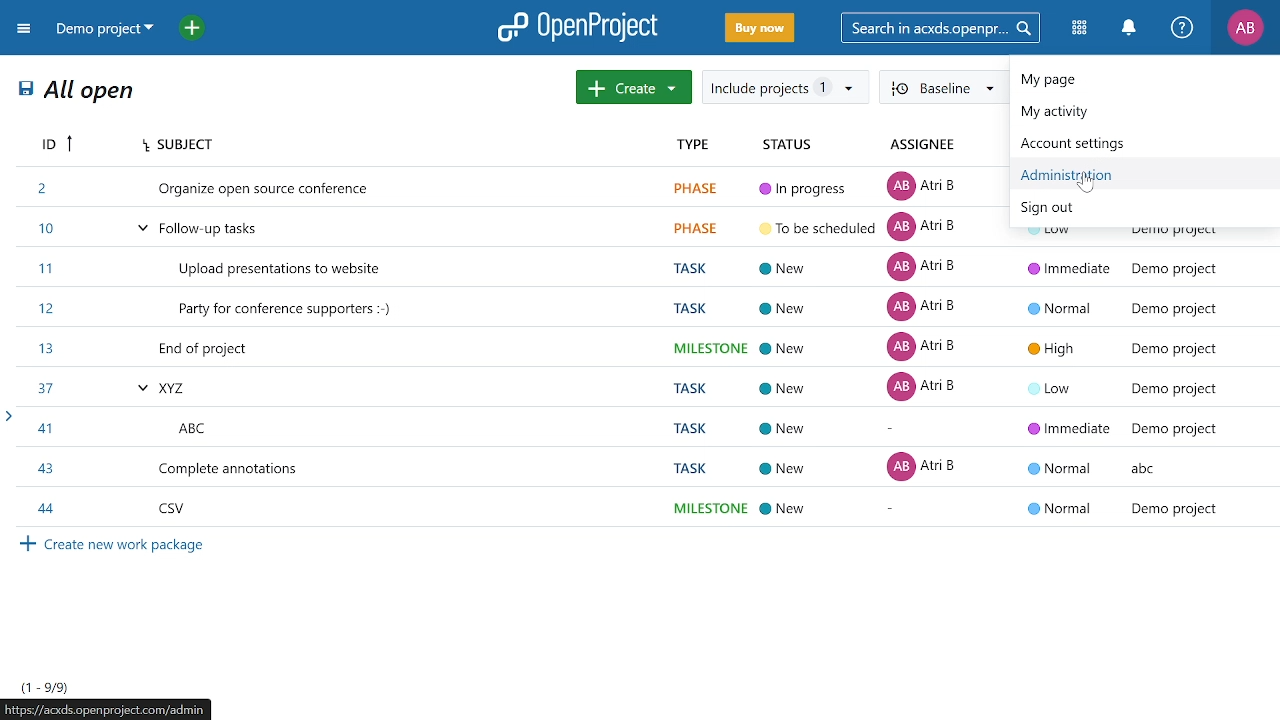  Describe the element at coordinates (937, 27) in the screenshot. I see `search` at that location.